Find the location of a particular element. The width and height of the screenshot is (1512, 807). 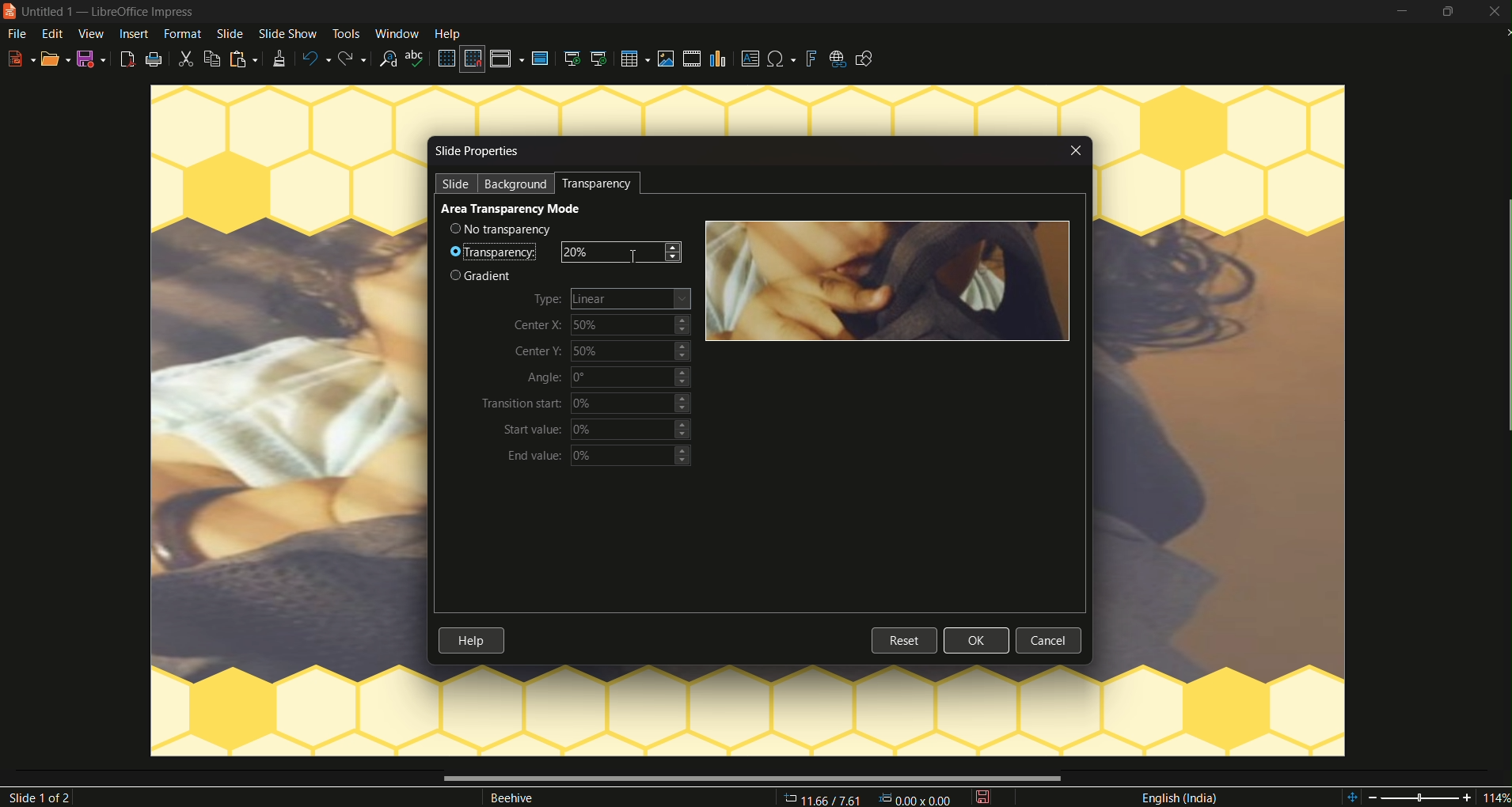

export as pdf is located at coordinates (127, 59).